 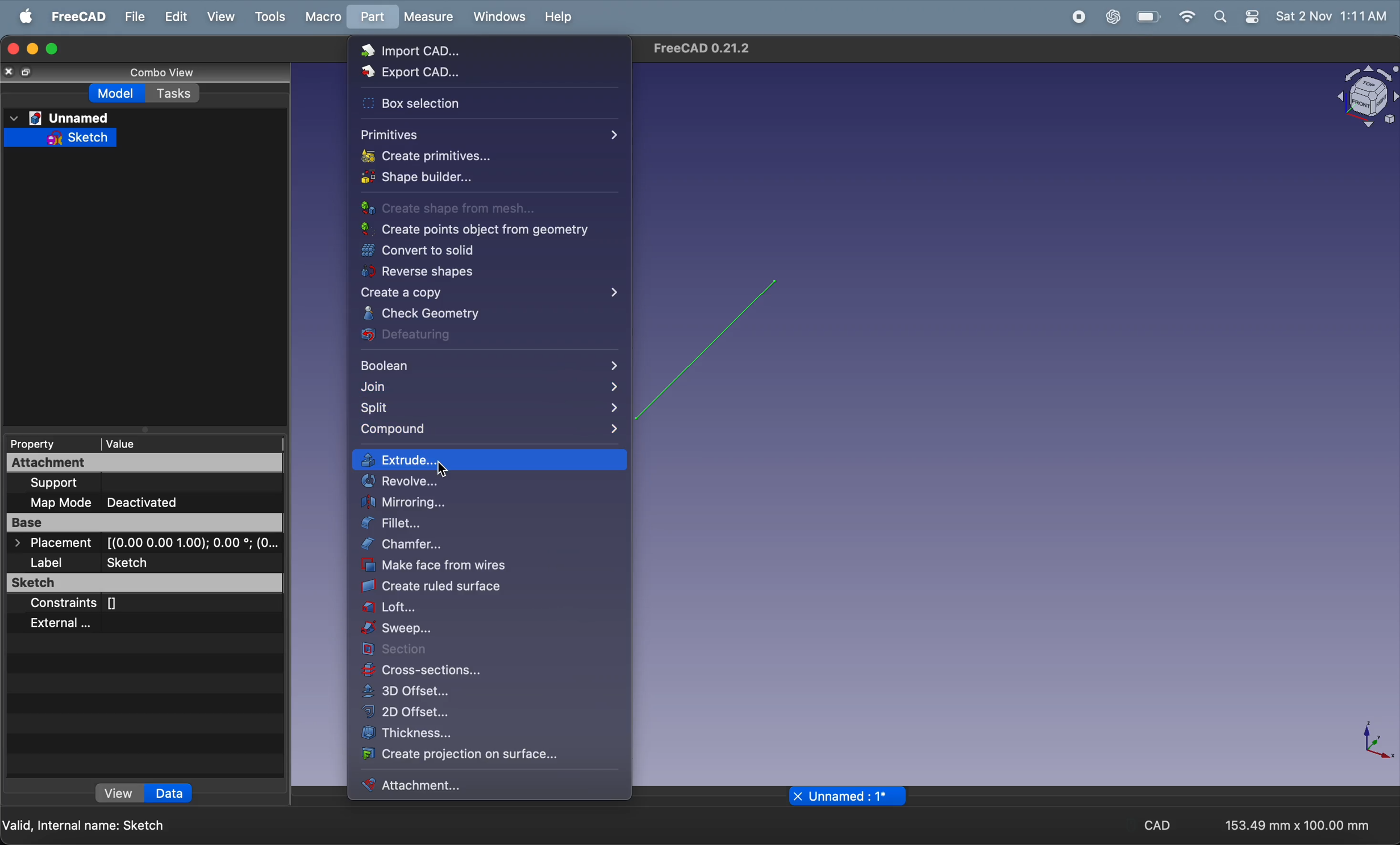 What do you see at coordinates (142, 522) in the screenshot?
I see `Base` at bounding box center [142, 522].